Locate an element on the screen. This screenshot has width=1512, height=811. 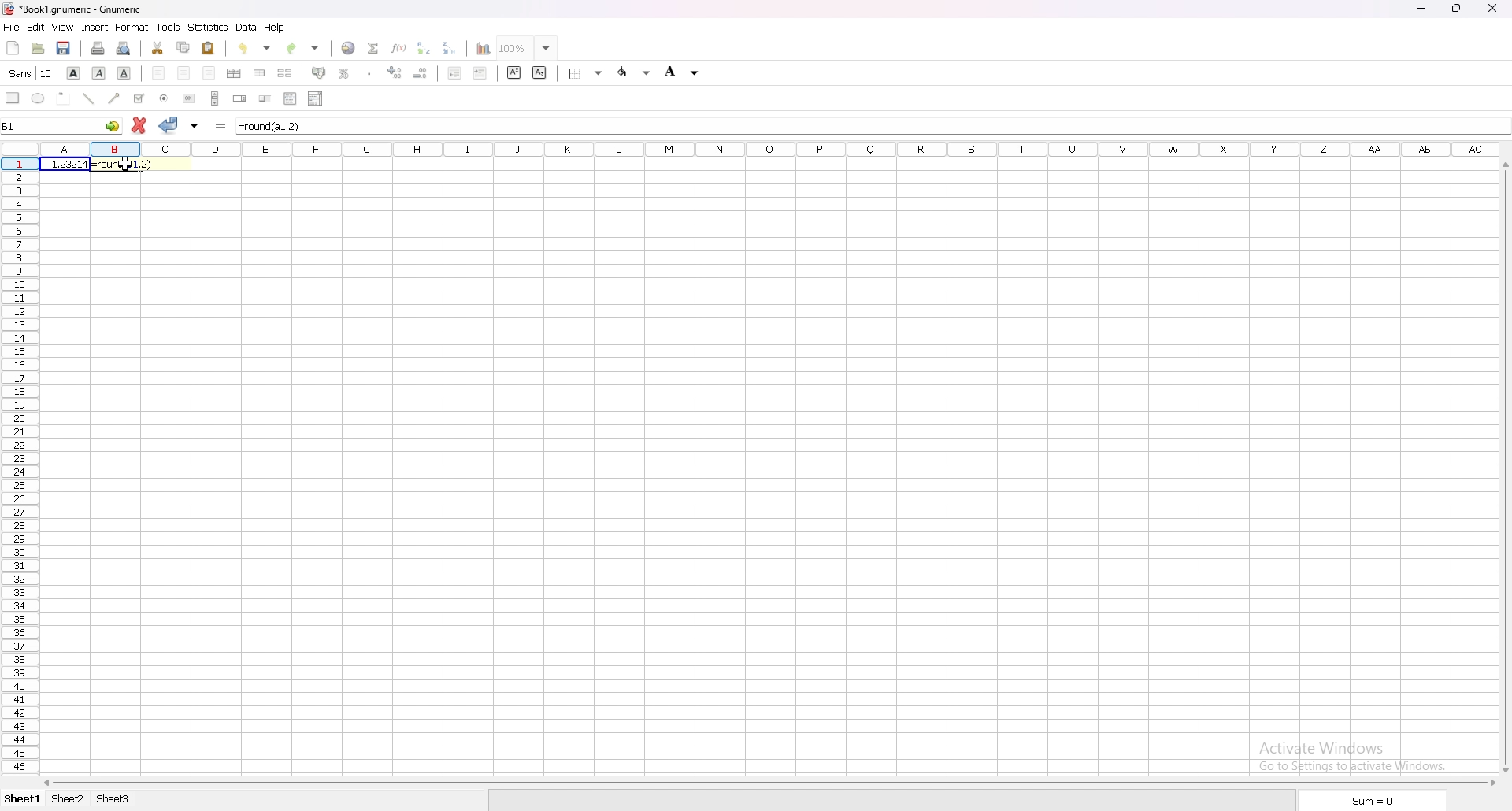
edit is located at coordinates (36, 28).